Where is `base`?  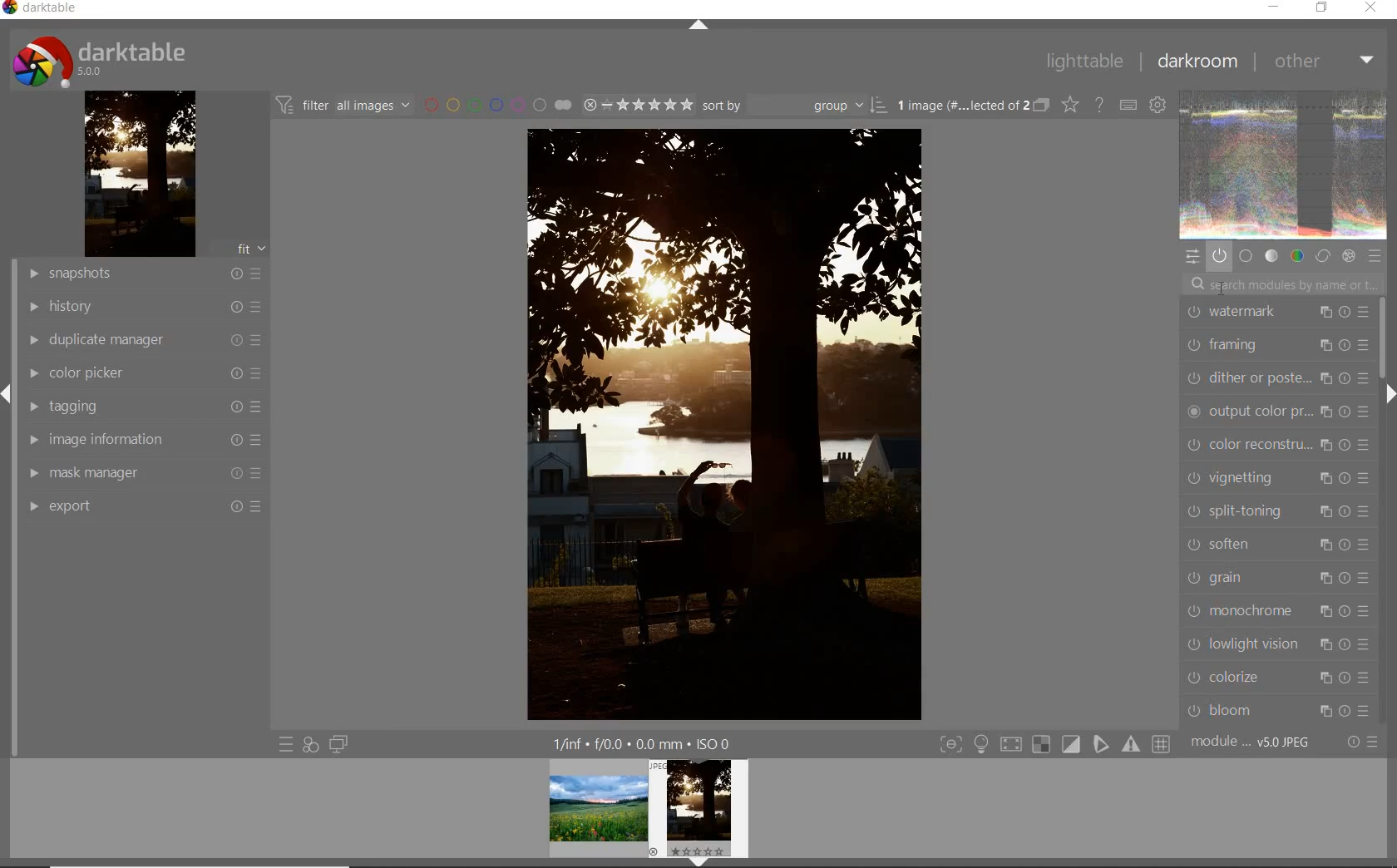 base is located at coordinates (1246, 255).